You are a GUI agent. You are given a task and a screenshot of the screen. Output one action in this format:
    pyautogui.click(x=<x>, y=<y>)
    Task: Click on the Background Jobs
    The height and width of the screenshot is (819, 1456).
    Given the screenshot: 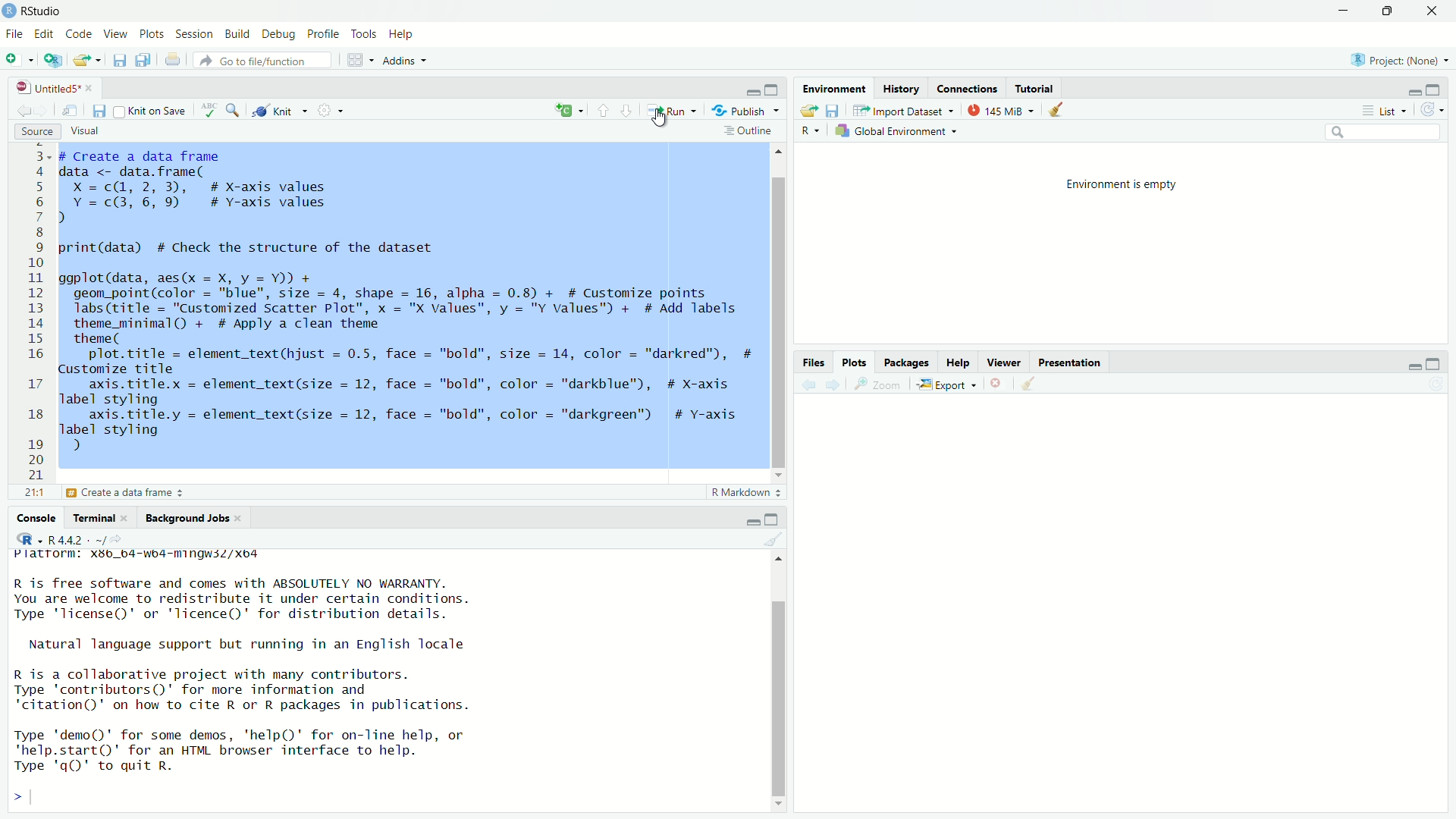 What is the action you would take?
    pyautogui.click(x=192, y=519)
    